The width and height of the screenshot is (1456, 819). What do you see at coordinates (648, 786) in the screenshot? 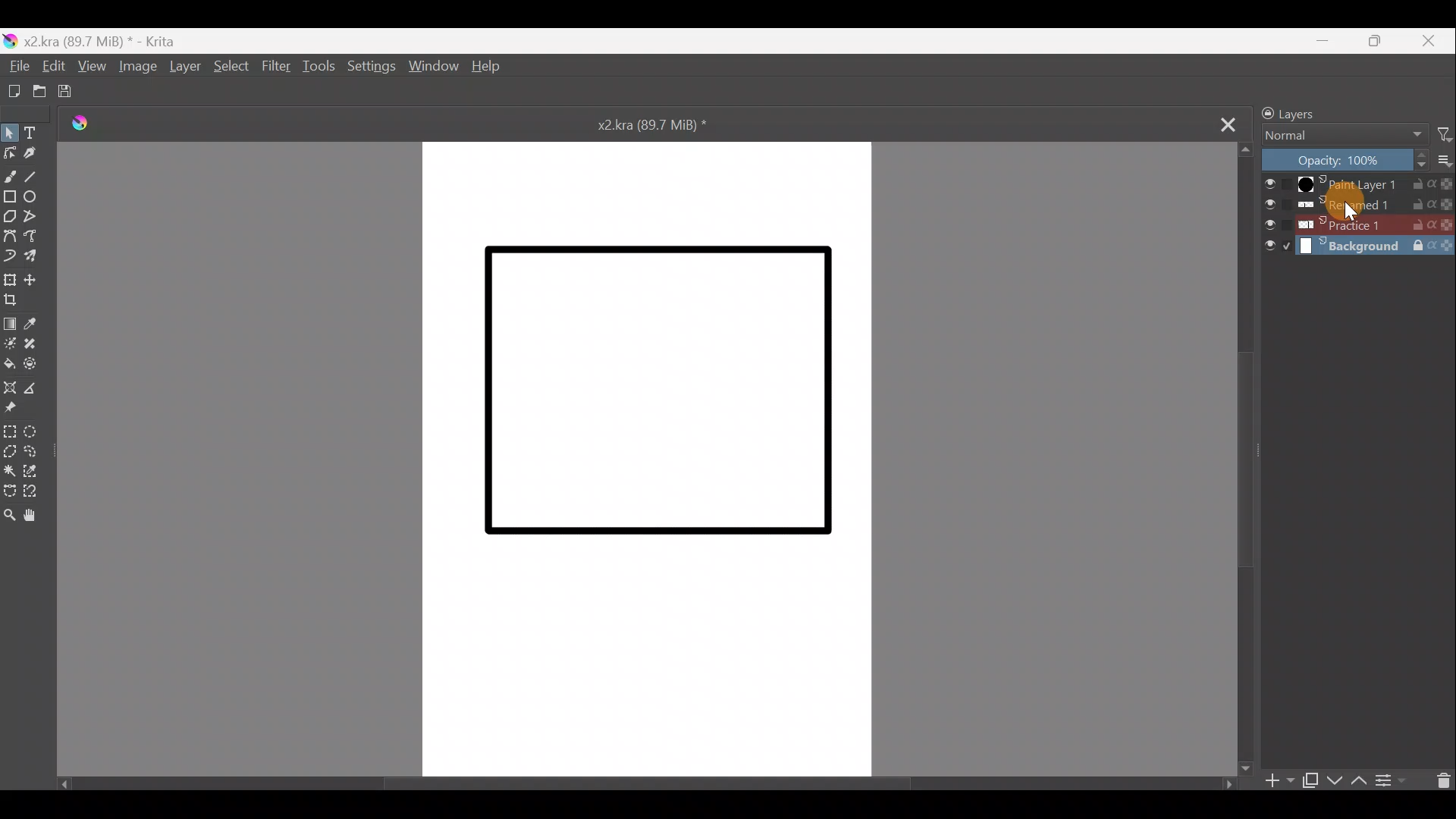
I see `Scroll bar` at bounding box center [648, 786].